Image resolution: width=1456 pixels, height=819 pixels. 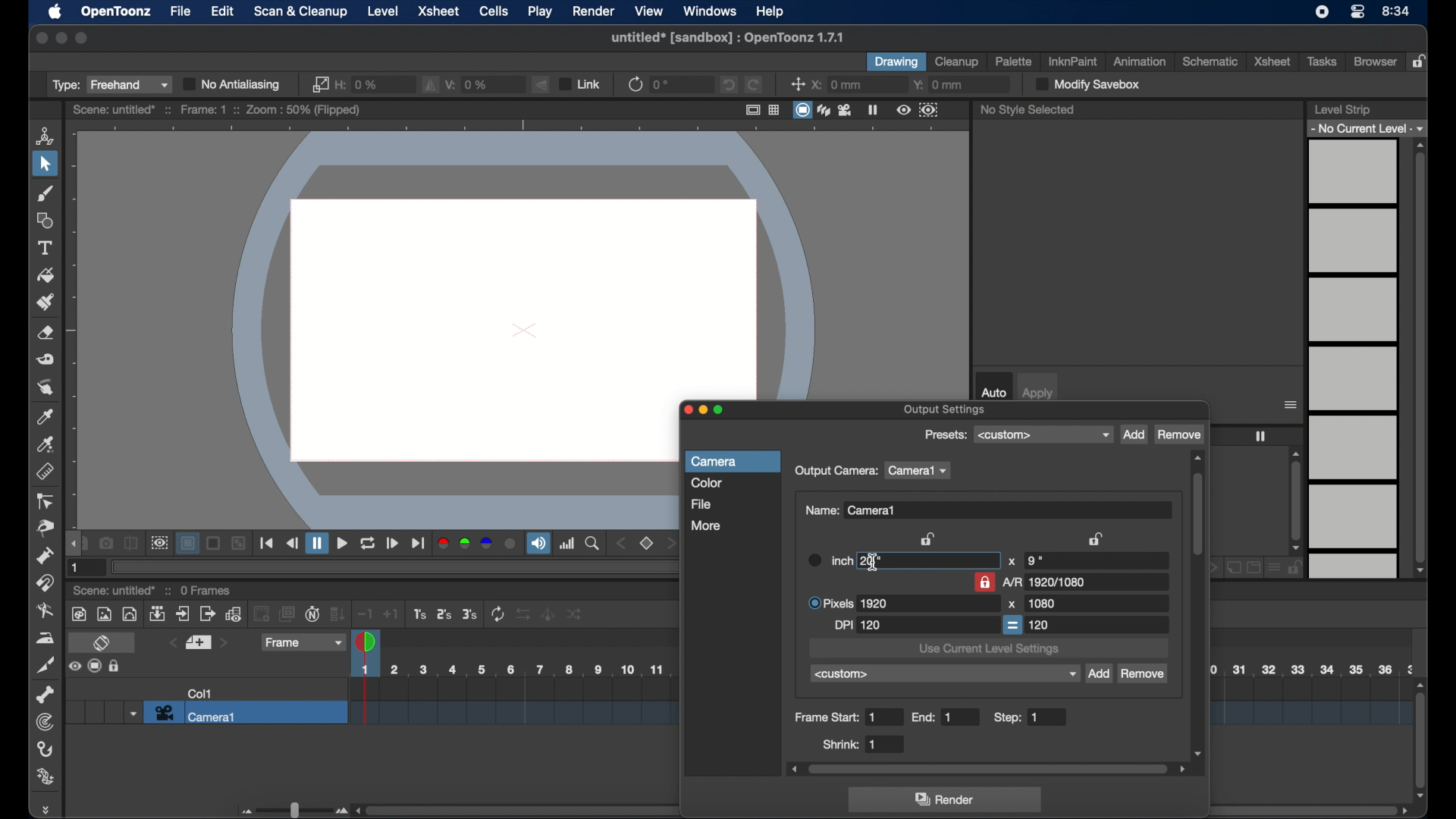 I want to click on pinch tool, so click(x=42, y=529).